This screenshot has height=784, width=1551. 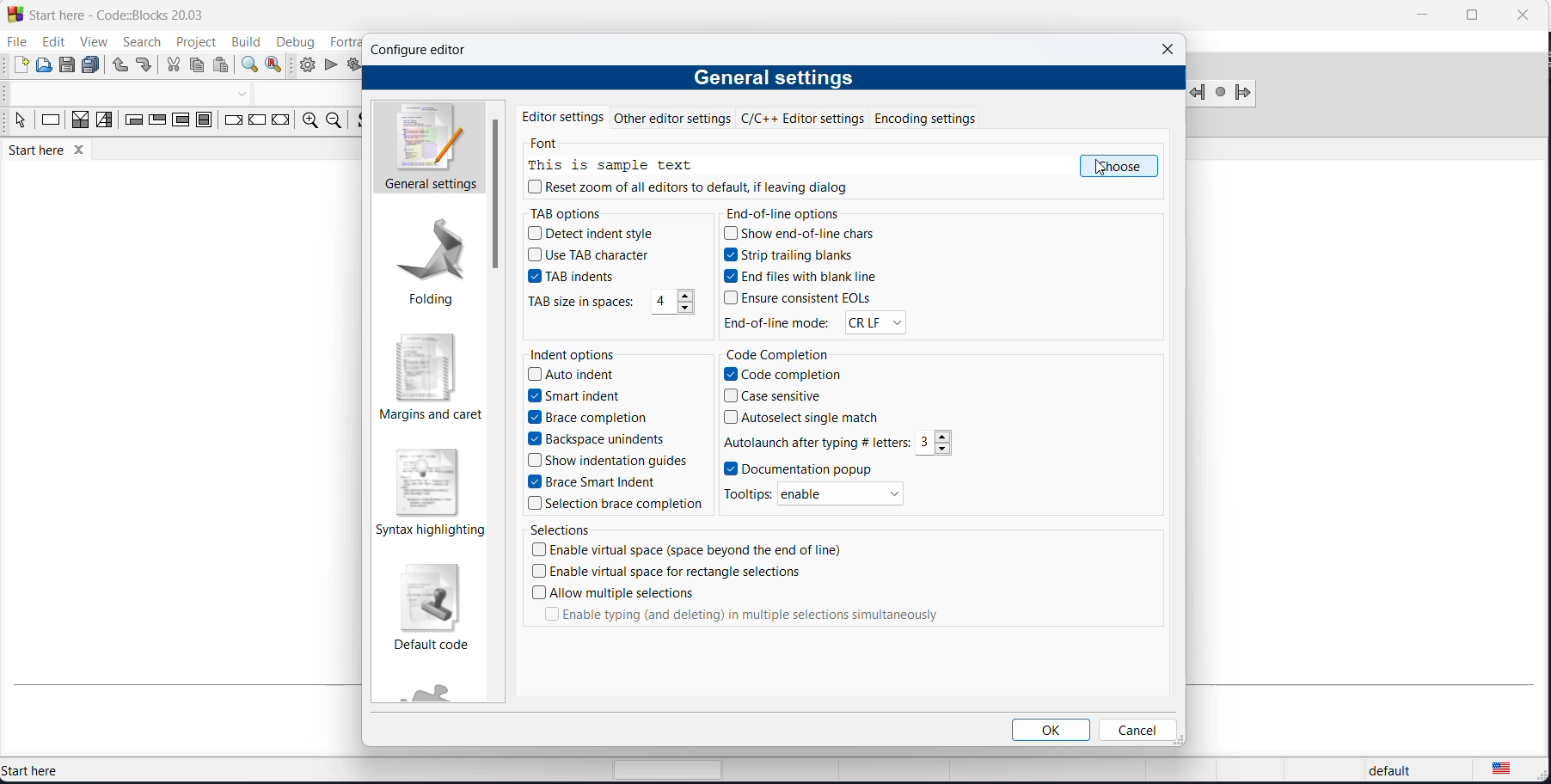 What do you see at coordinates (810, 298) in the screenshot?
I see `ensure consistent EOLs ` at bounding box center [810, 298].